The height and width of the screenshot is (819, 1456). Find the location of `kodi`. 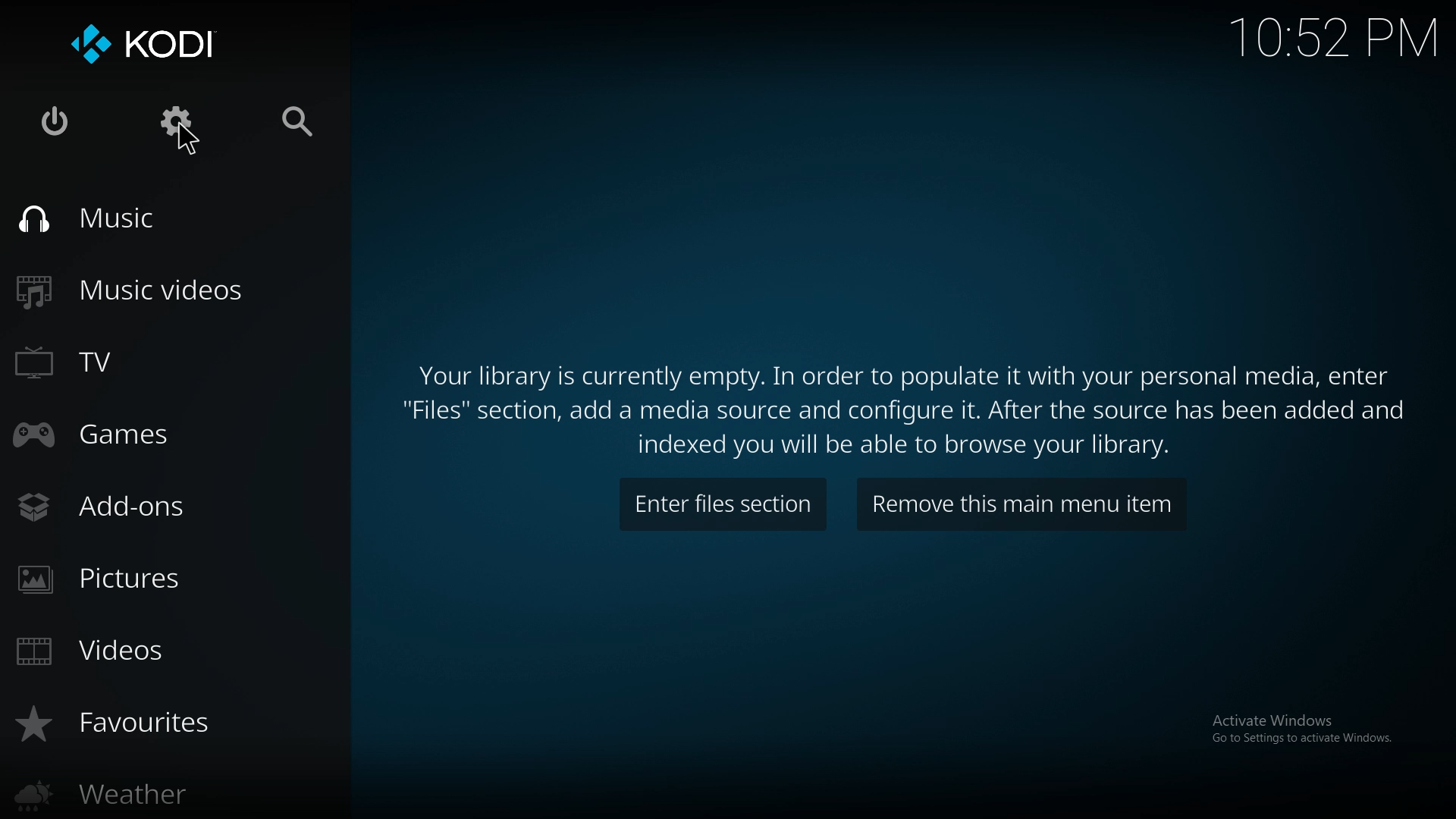

kodi is located at coordinates (152, 45).